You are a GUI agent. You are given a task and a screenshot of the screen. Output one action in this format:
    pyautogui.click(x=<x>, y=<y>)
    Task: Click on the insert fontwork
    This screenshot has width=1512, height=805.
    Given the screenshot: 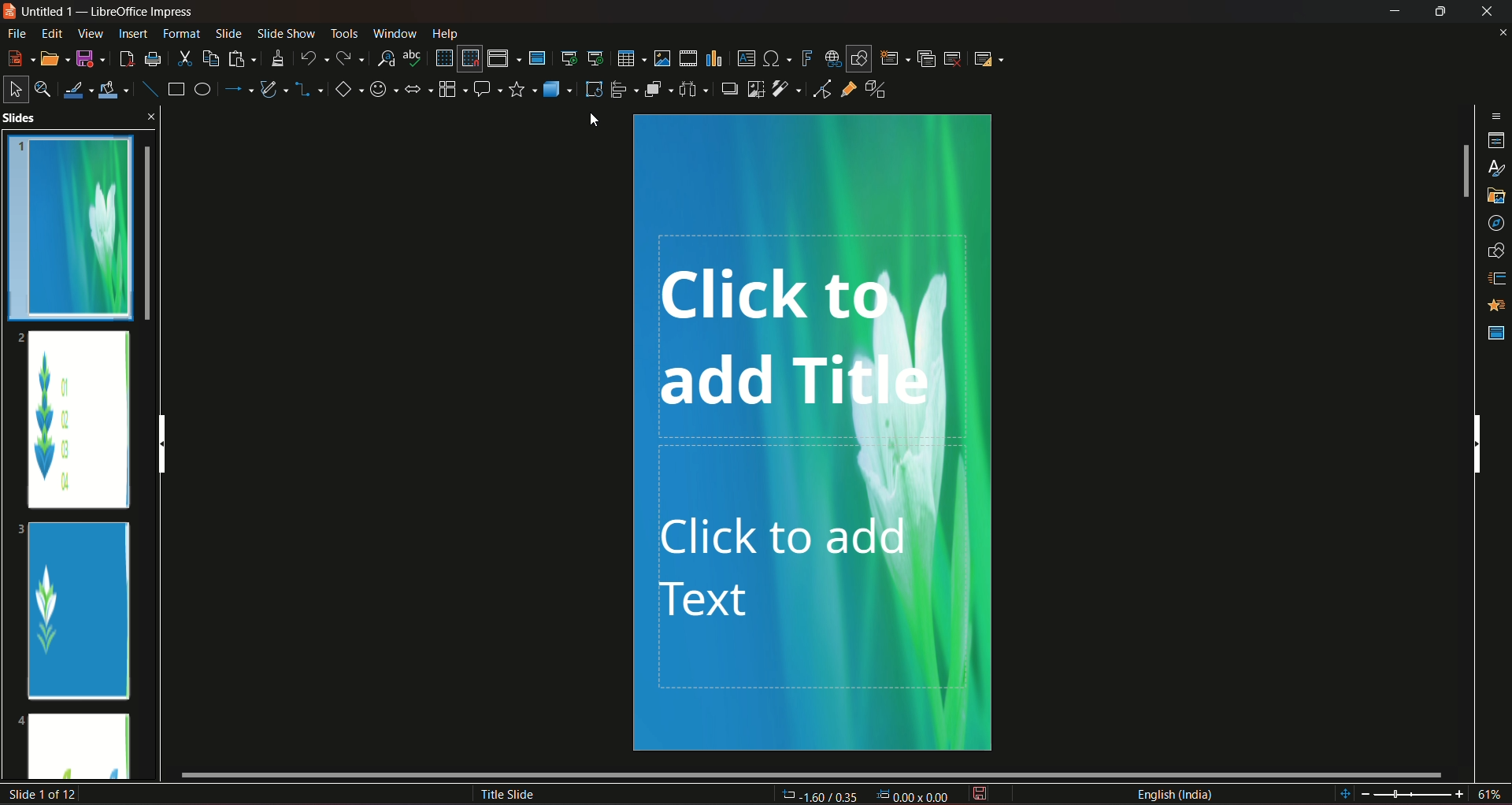 What is the action you would take?
    pyautogui.click(x=807, y=58)
    